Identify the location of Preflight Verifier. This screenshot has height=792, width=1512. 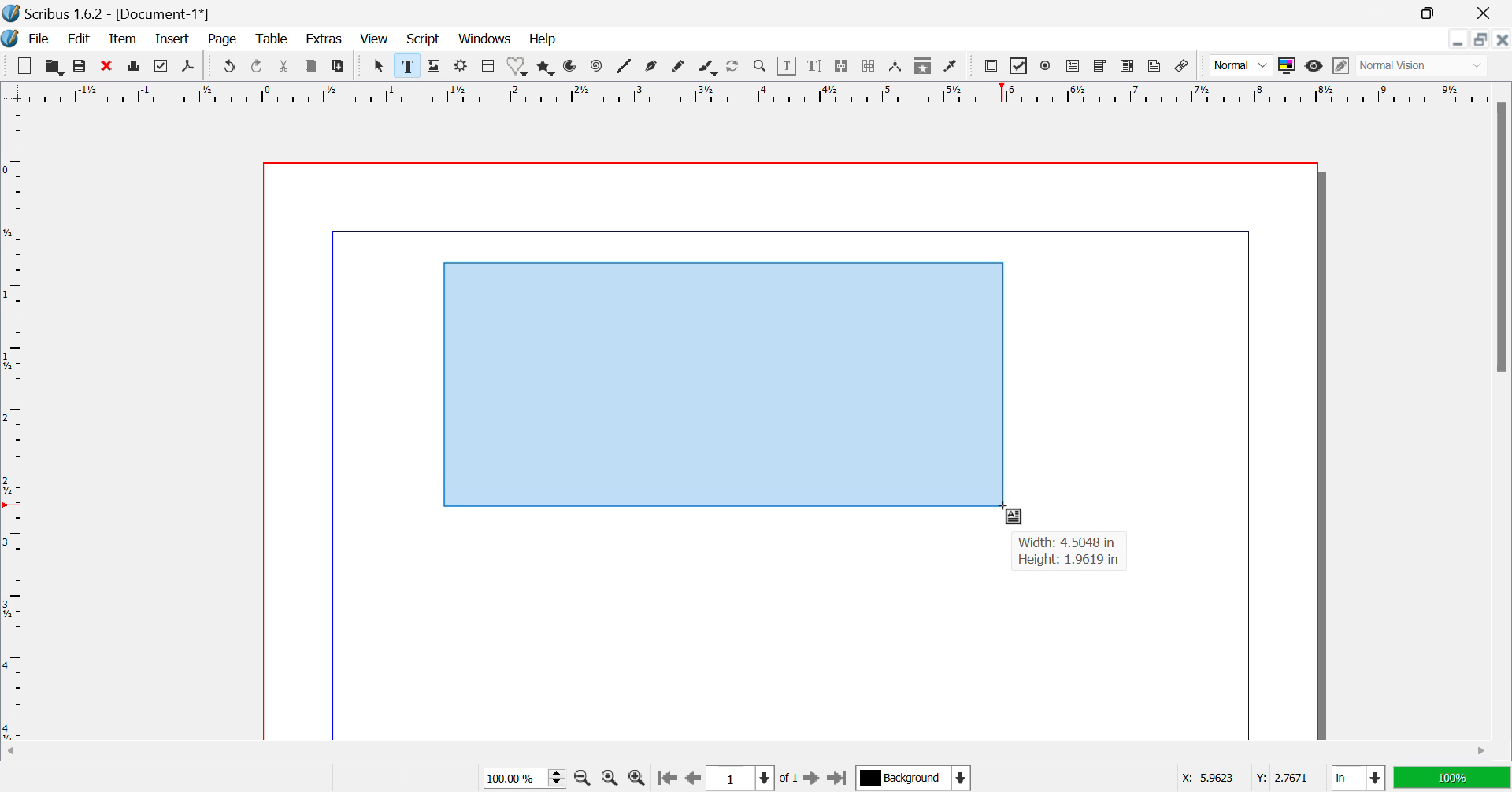
(161, 68).